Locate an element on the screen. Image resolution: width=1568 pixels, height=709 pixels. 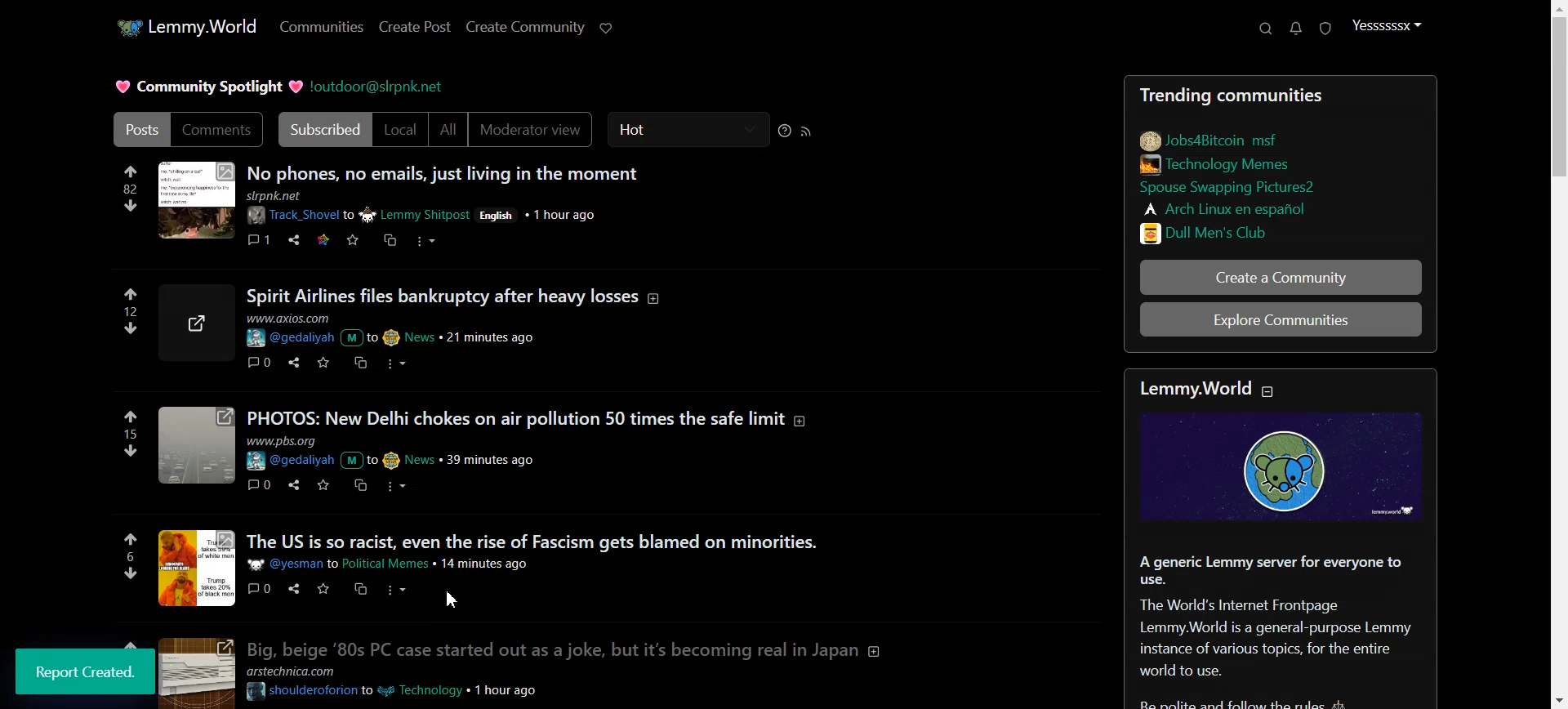
link is located at coordinates (321, 239).